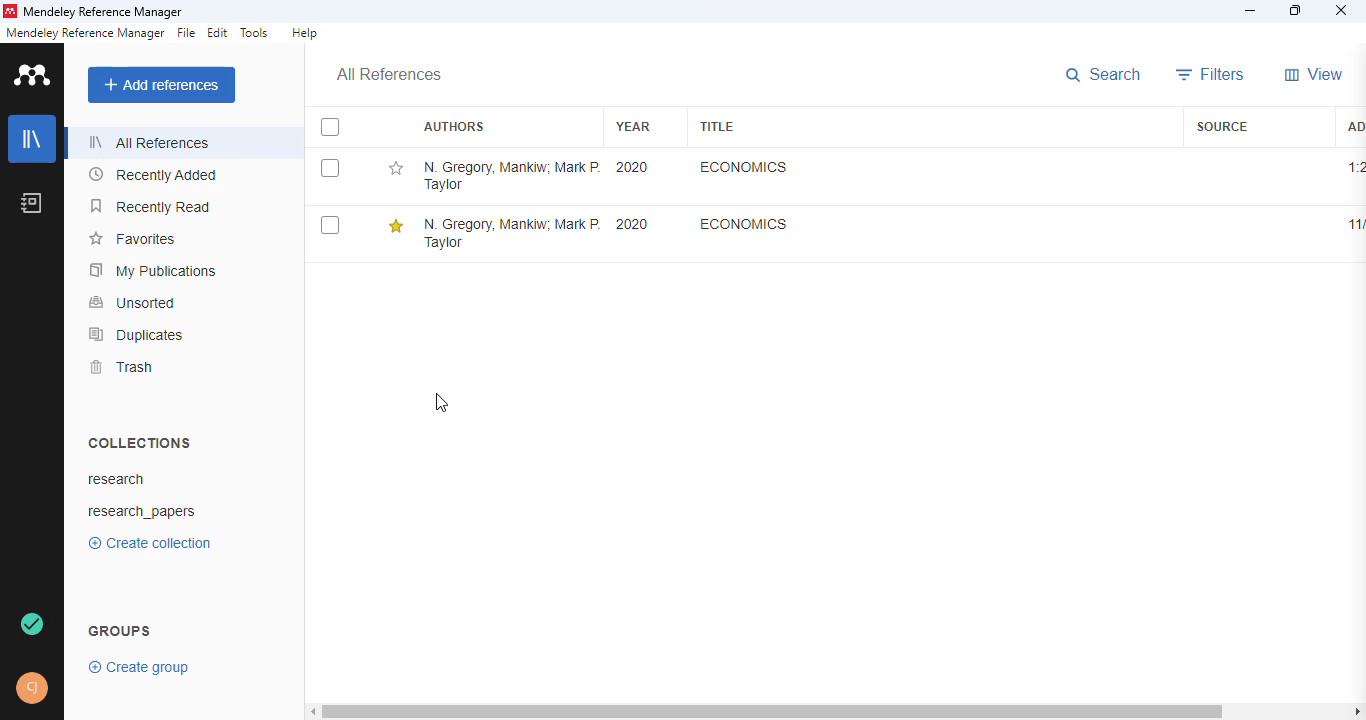 The image size is (1366, 720). I want to click on all references, so click(150, 142).